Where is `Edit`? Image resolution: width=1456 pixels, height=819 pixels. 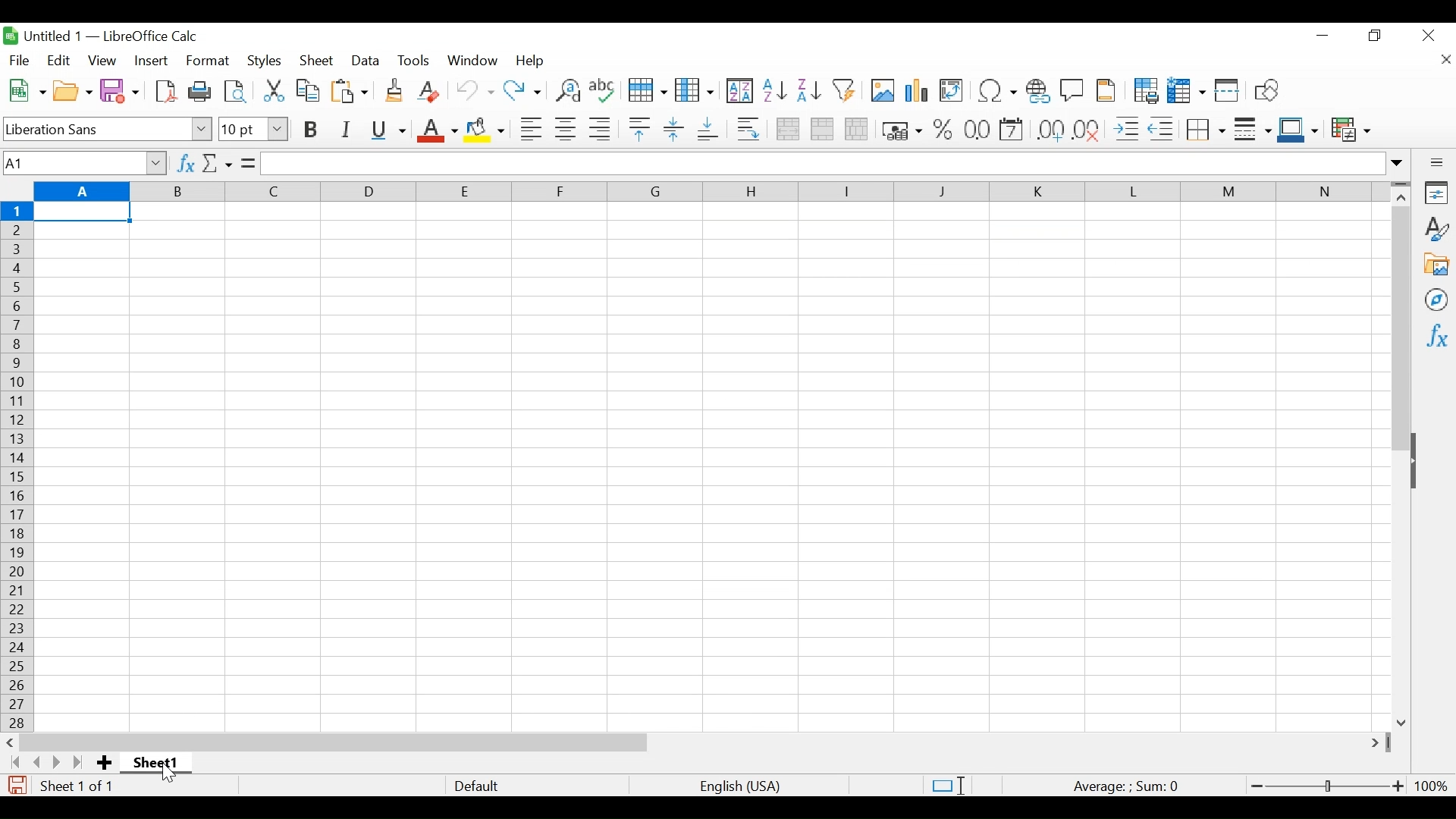 Edit is located at coordinates (58, 60).